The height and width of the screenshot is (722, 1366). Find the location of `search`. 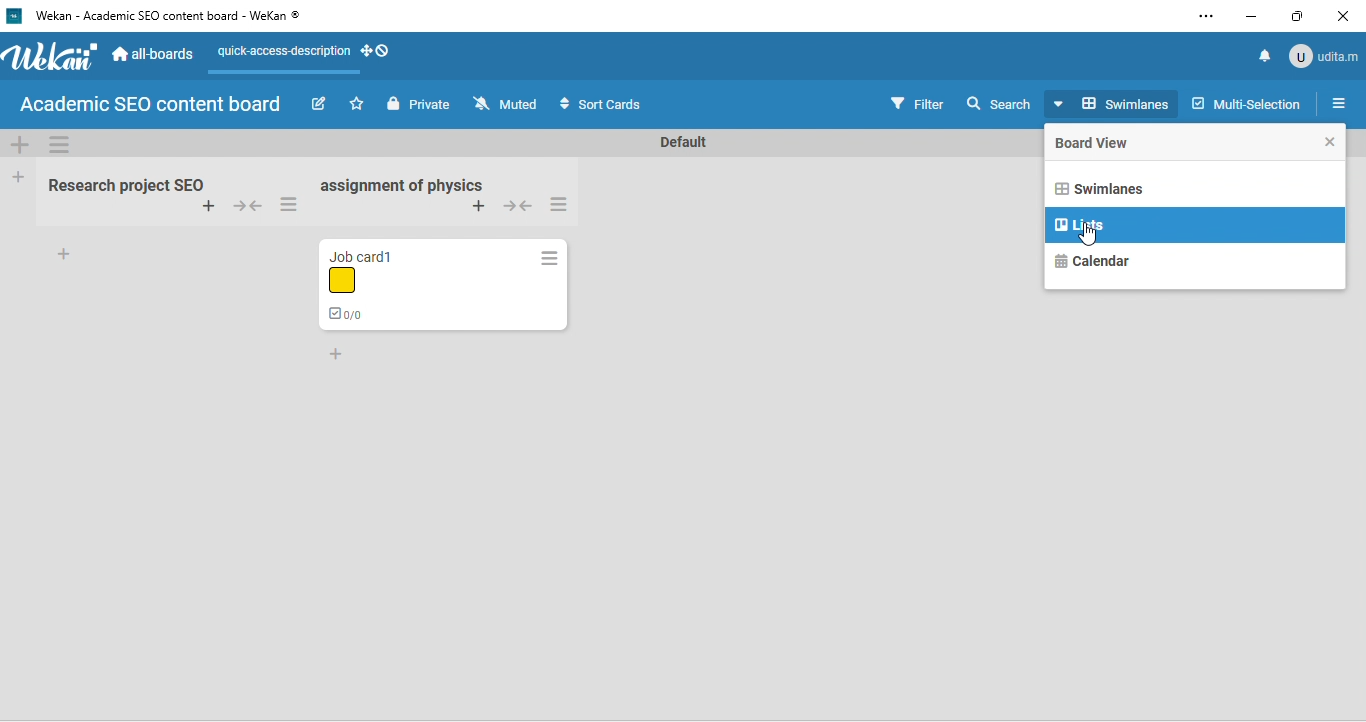

search is located at coordinates (1001, 103).